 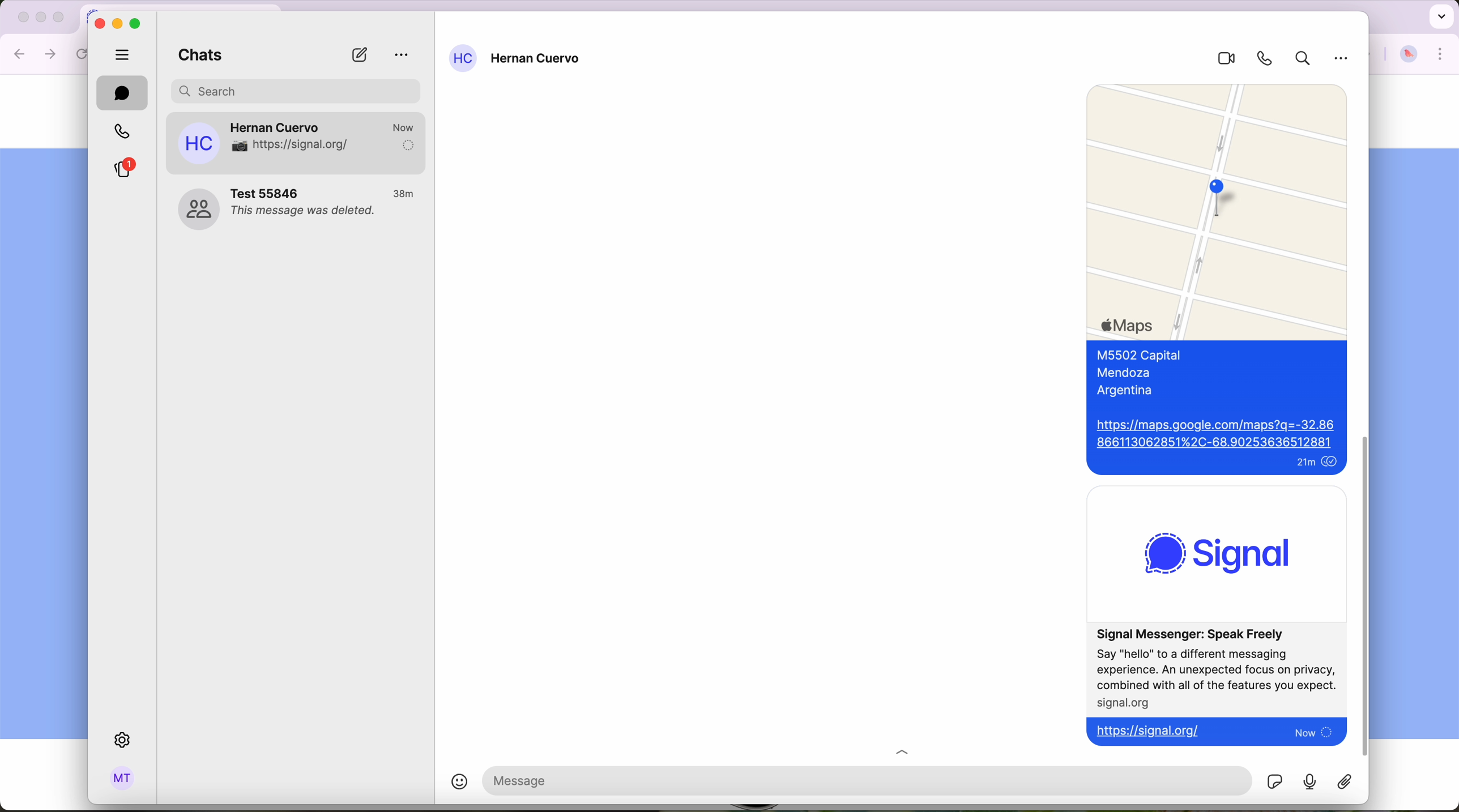 I want to click on Hernan Cuervo, so click(x=537, y=60).